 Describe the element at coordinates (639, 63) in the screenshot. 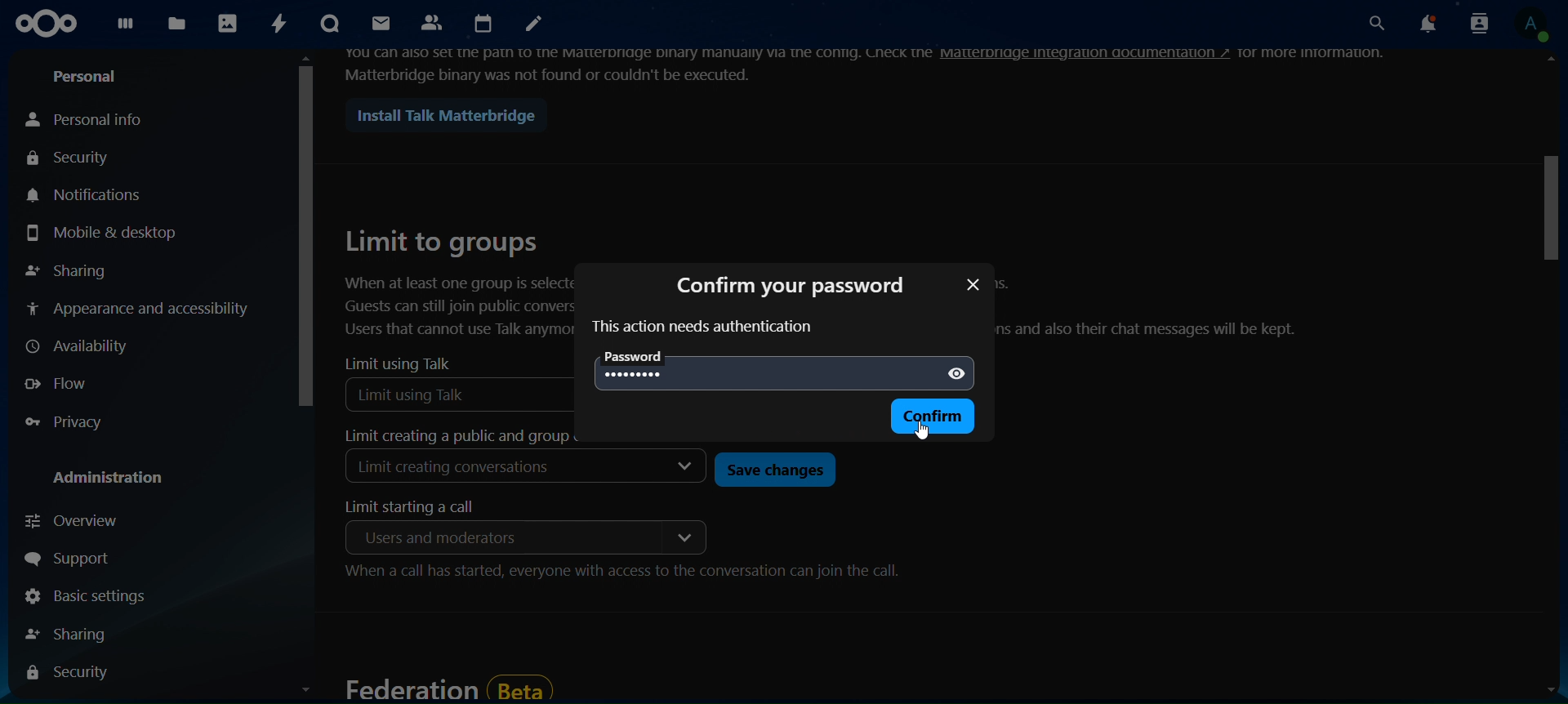

I see `text` at that location.